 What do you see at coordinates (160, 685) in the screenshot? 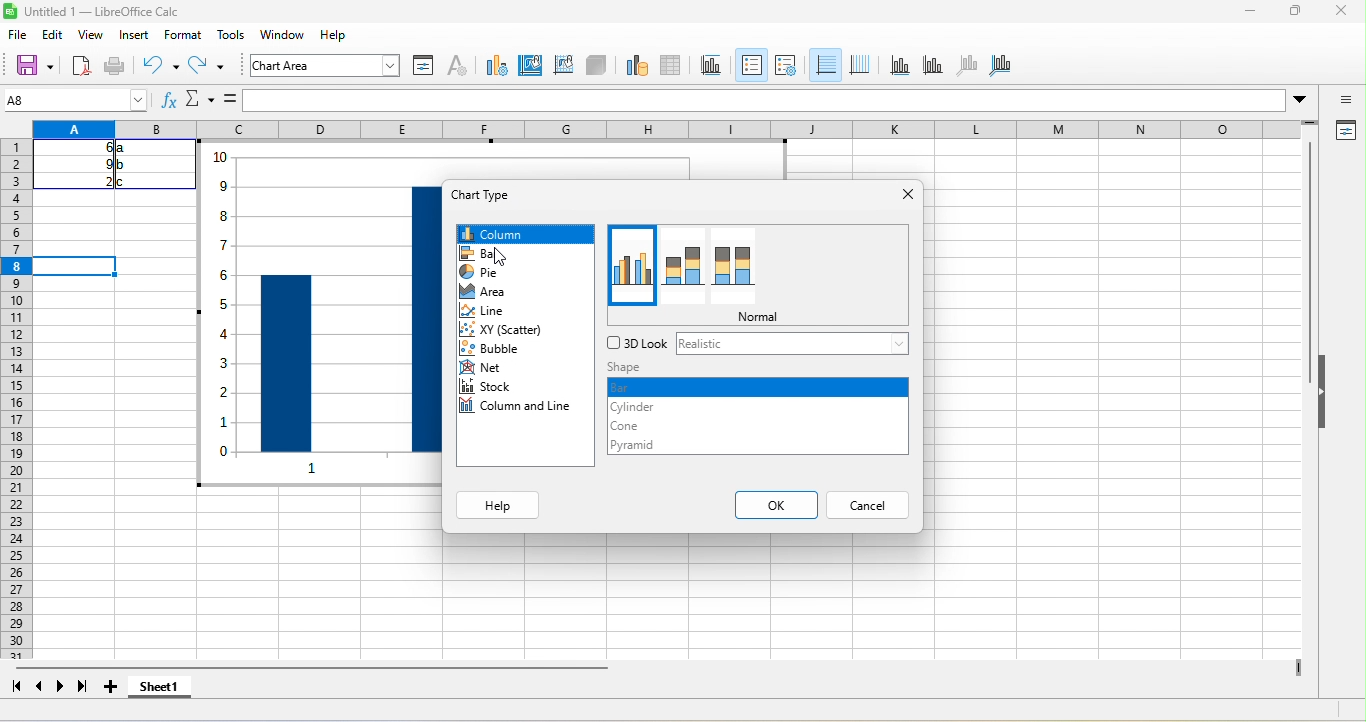
I see `sheet 1` at bounding box center [160, 685].